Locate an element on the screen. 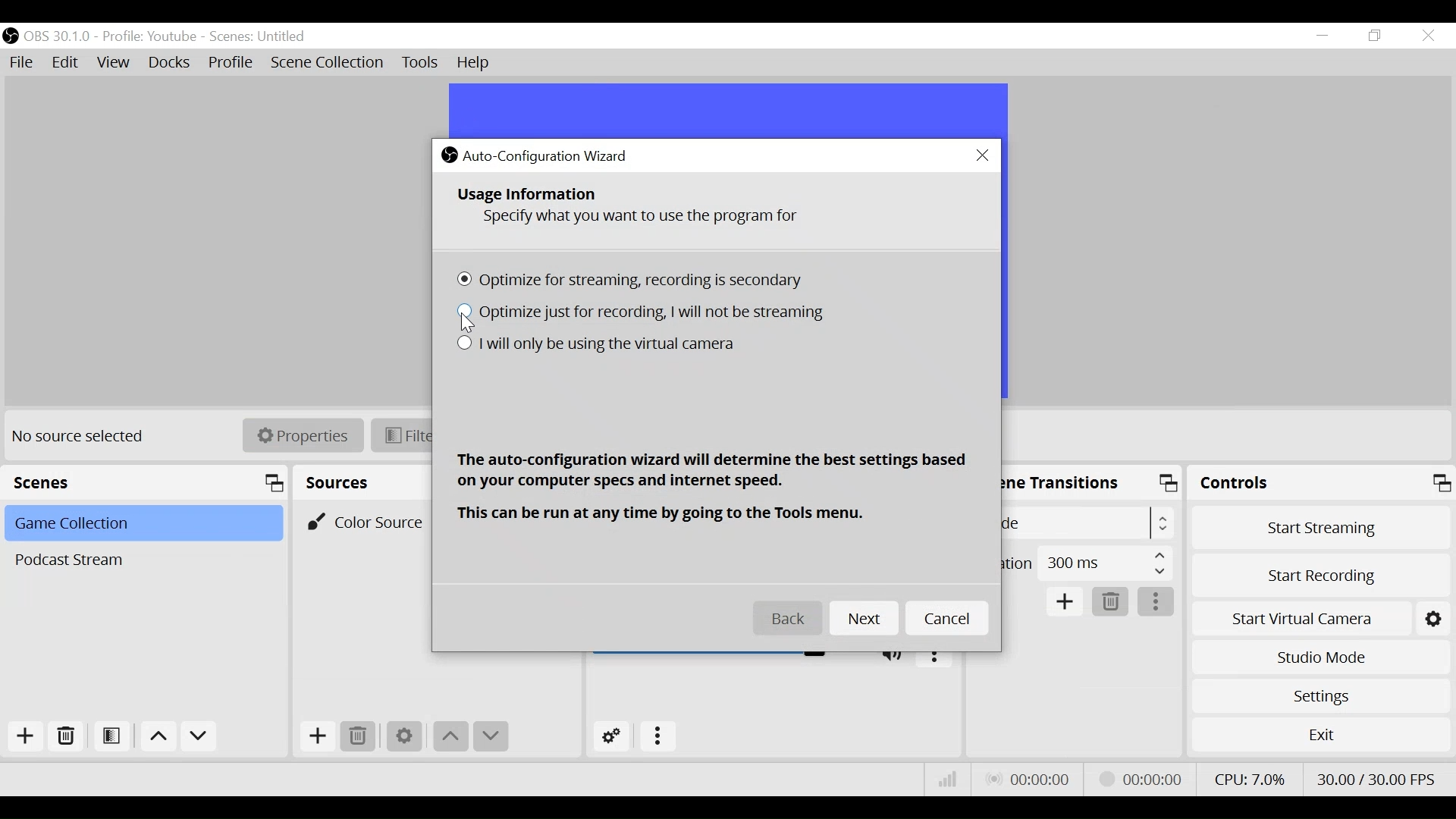 The width and height of the screenshot is (1456, 819). Scenes Panel is located at coordinates (145, 482).